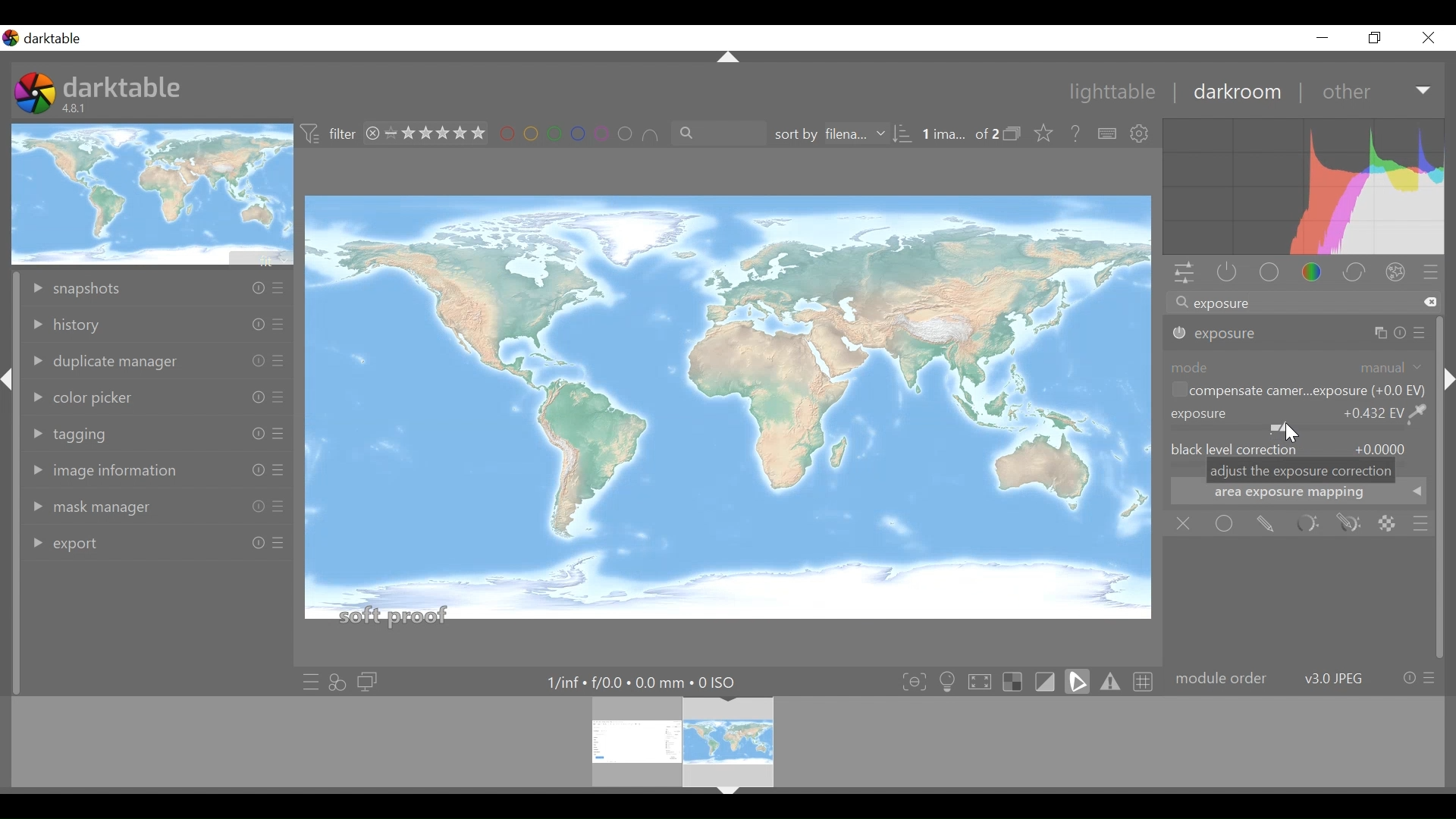  I want to click on , so click(253, 507).